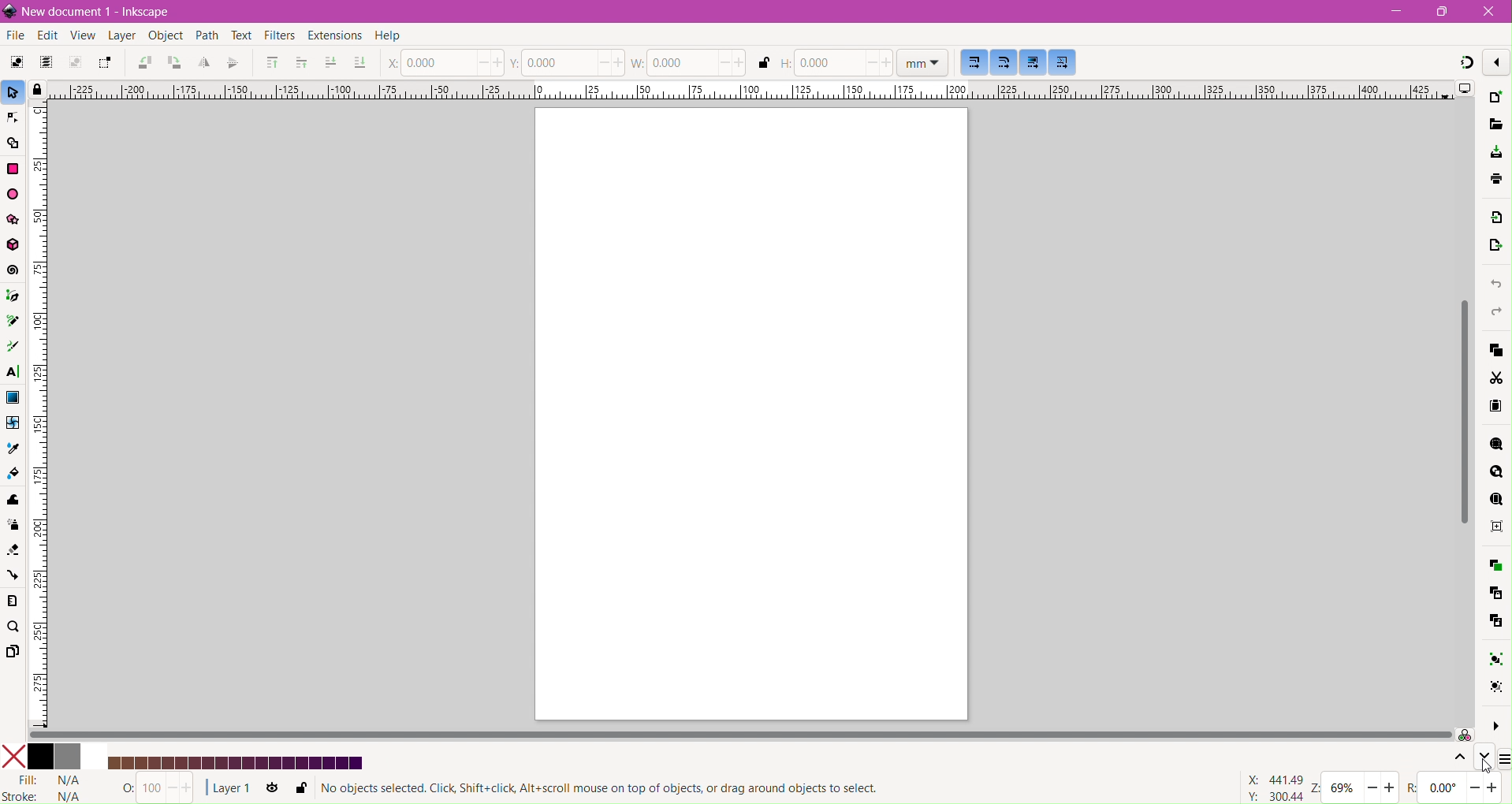 This screenshot has height=804, width=1512. What do you see at coordinates (1355, 789) in the screenshot?
I see `Zoom` at bounding box center [1355, 789].